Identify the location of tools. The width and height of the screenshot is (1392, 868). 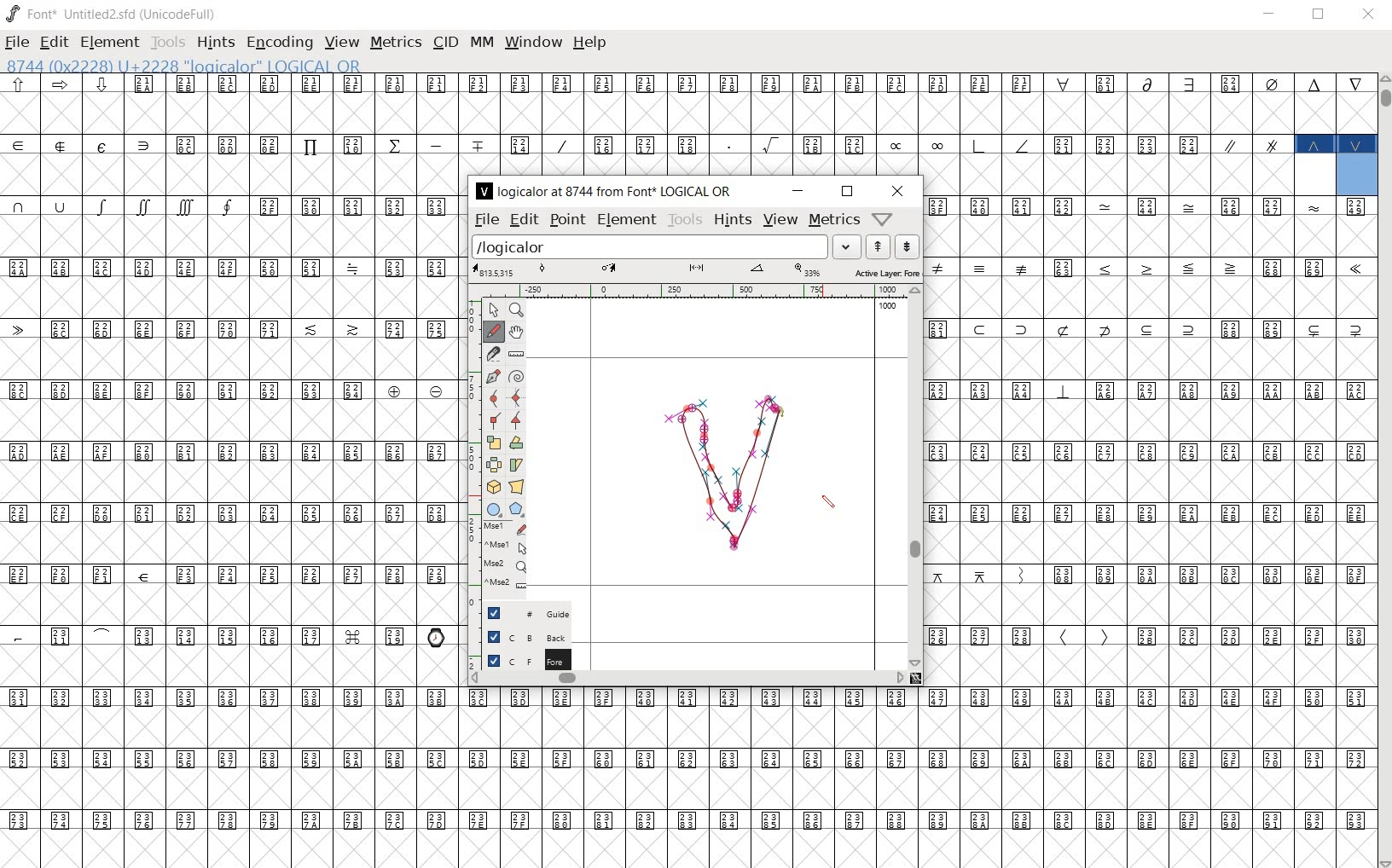
(684, 222).